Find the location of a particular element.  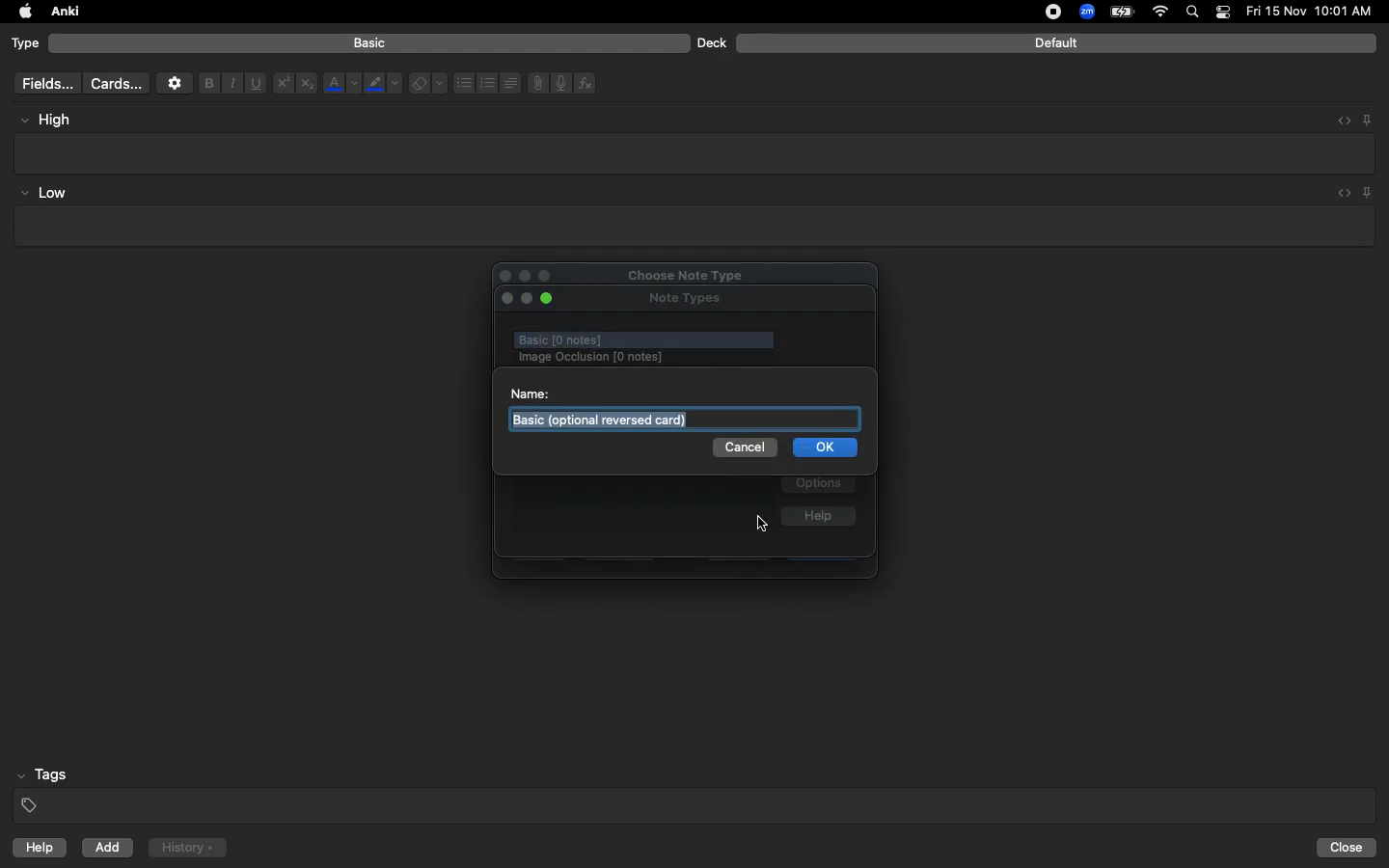

help is located at coordinates (36, 850).